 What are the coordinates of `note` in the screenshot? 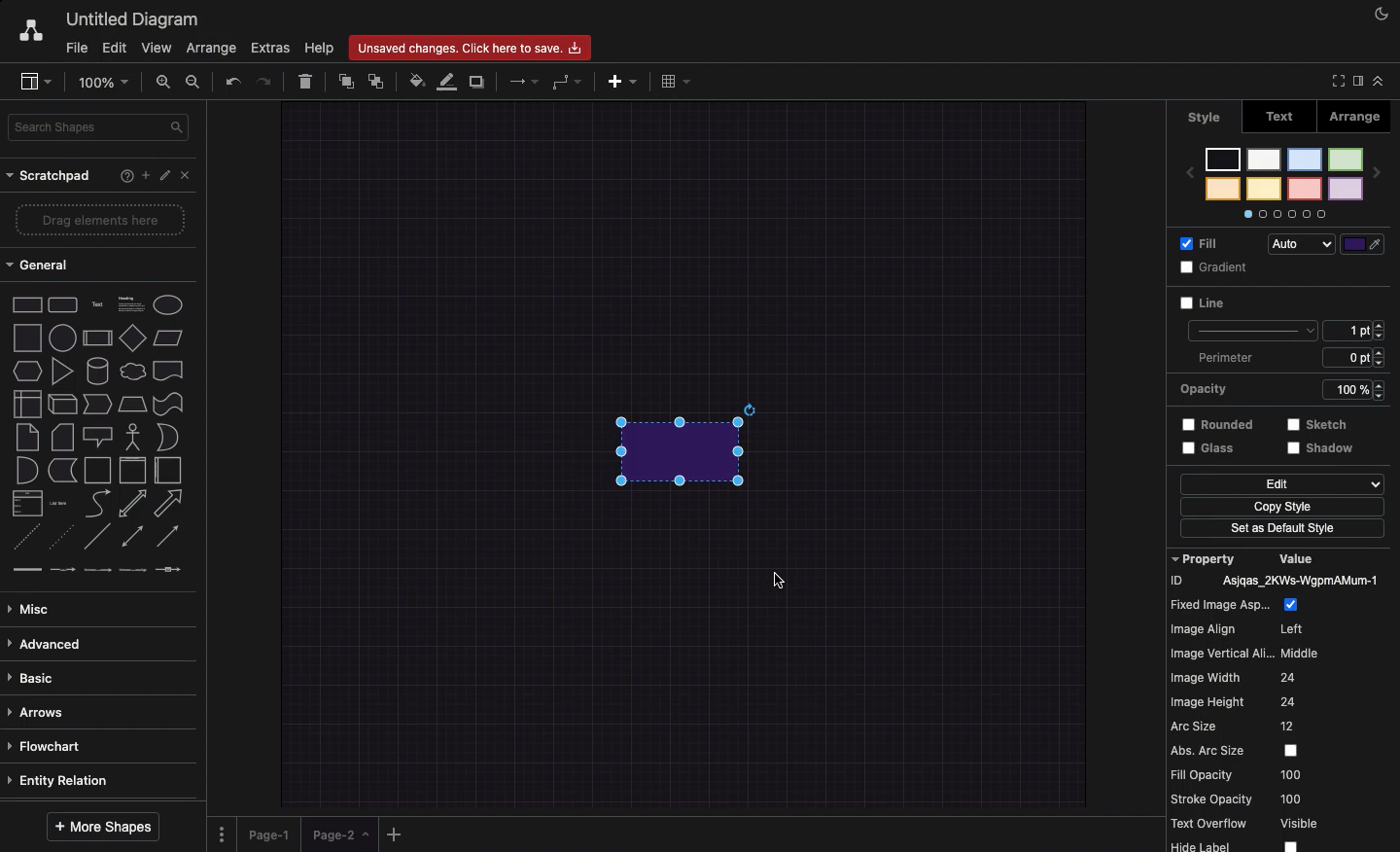 It's located at (26, 437).